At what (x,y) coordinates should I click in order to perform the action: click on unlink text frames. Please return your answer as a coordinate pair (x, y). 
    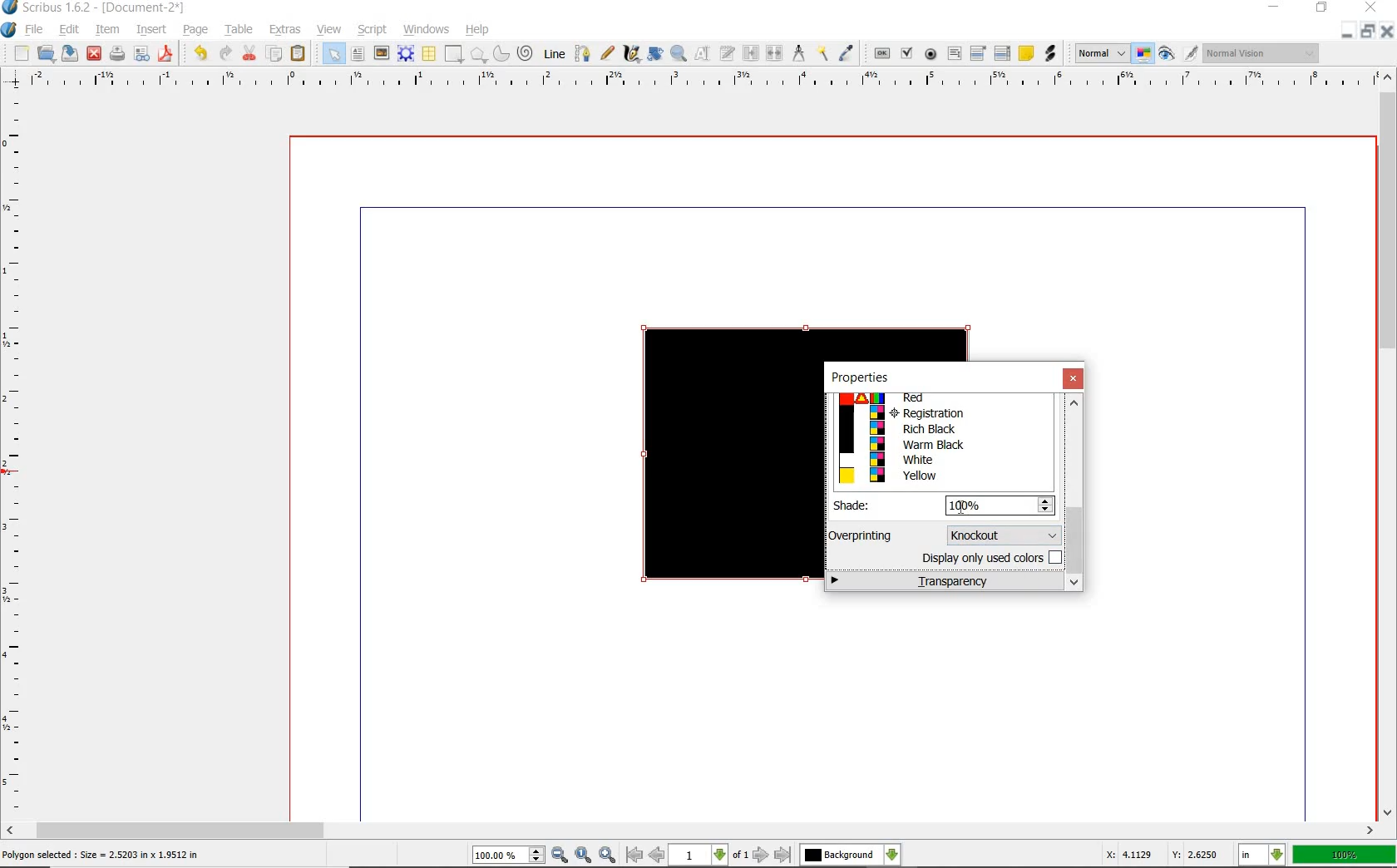
    Looking at the image, I should click on (775, 55).